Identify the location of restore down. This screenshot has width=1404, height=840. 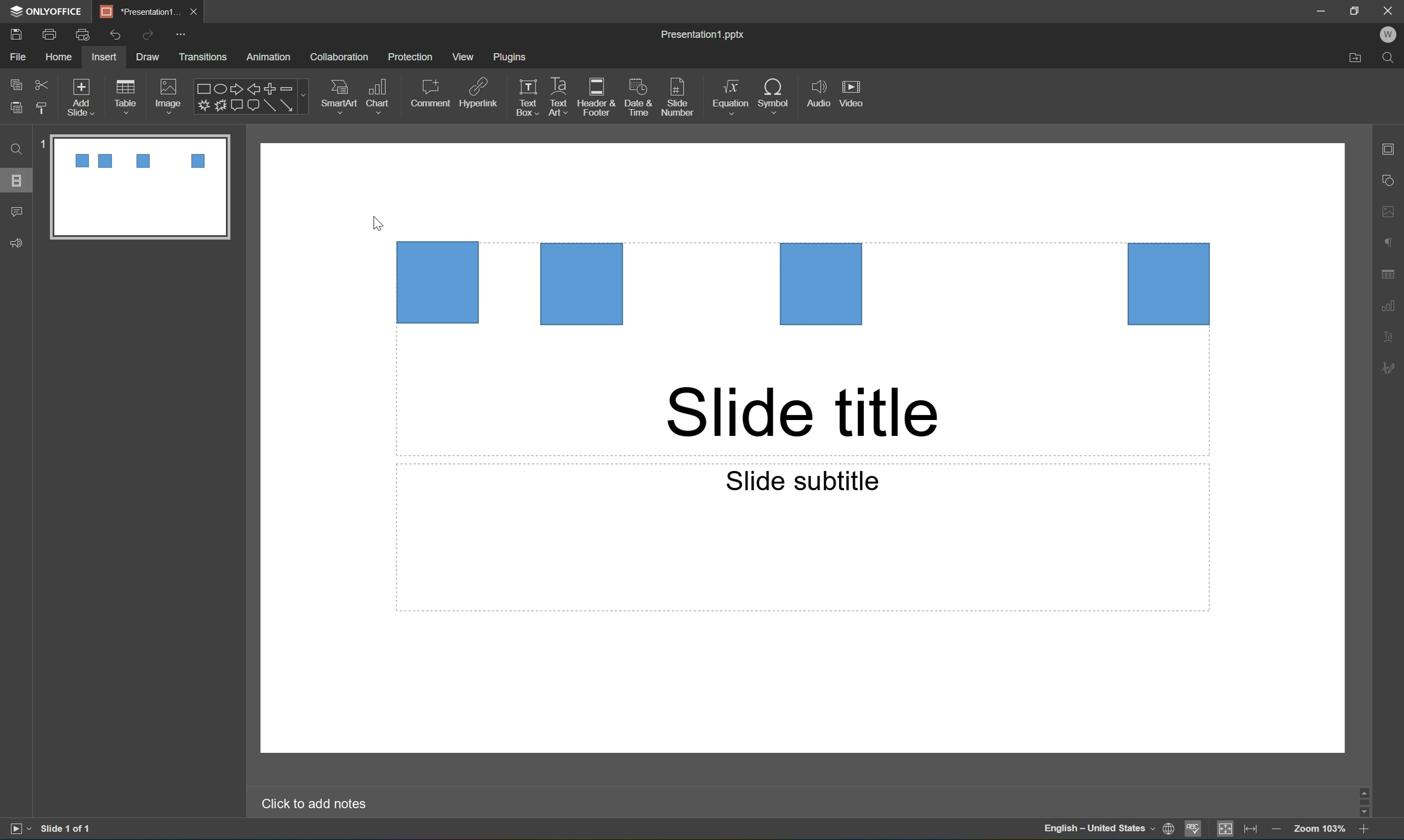
(1356, 8).